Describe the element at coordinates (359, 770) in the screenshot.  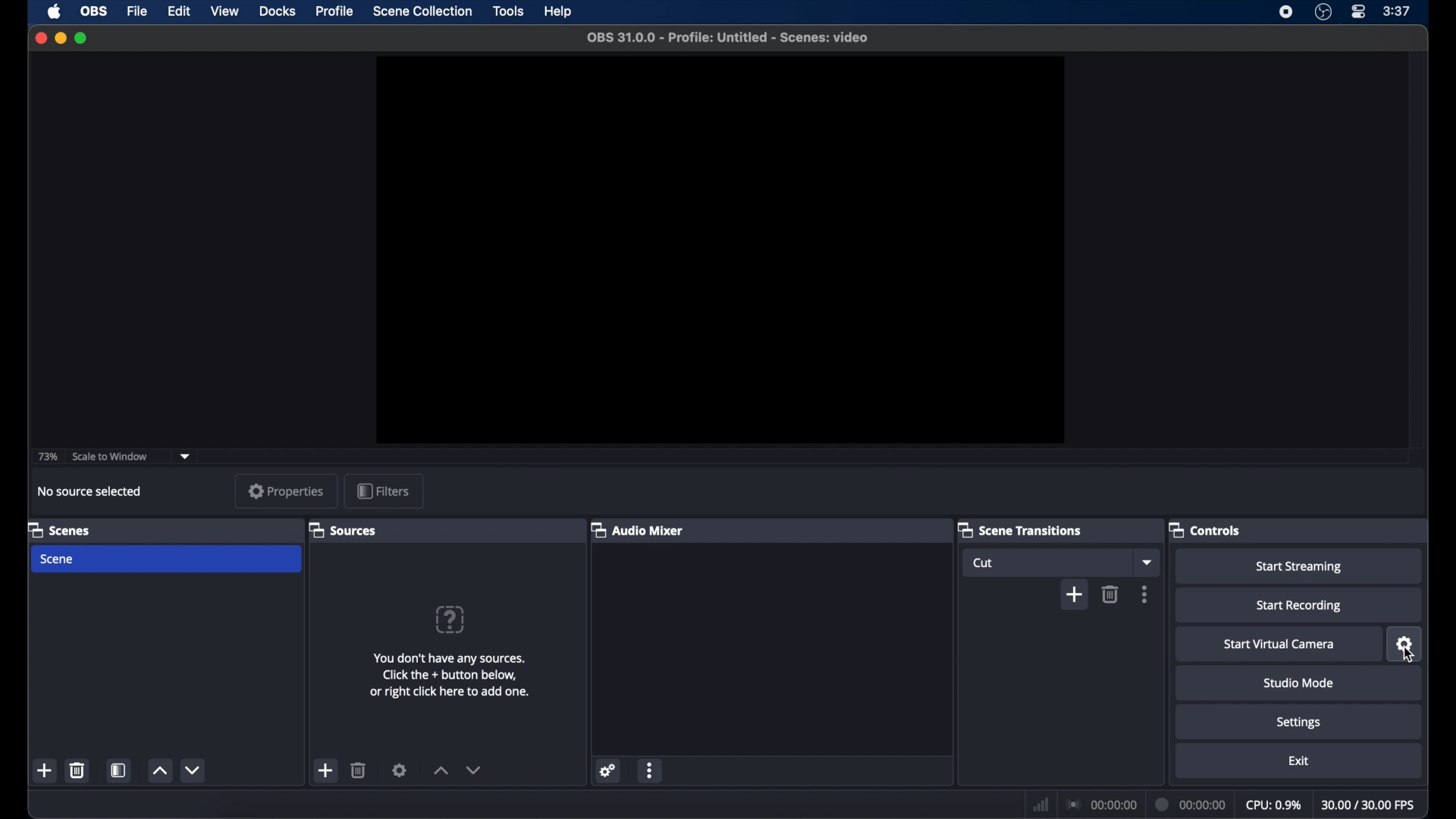
I see `delete` at that location.